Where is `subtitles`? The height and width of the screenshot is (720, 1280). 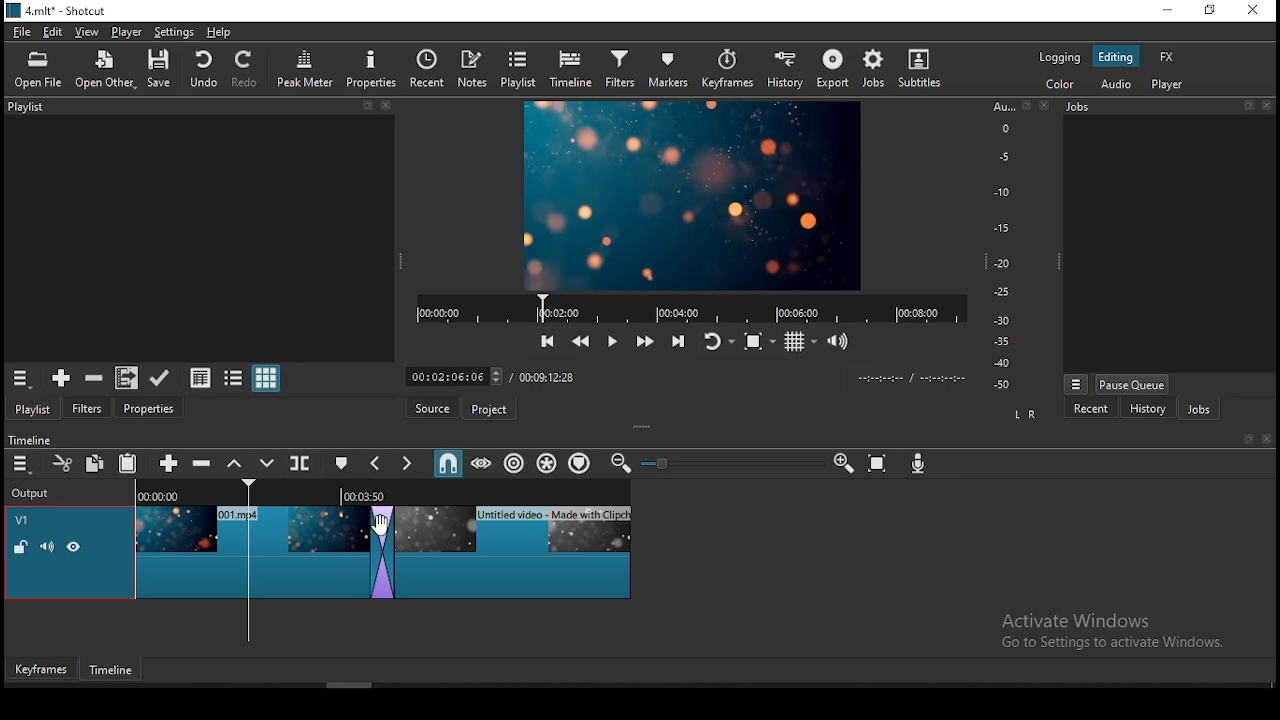 subtitles is located at coordinates (919, 69).